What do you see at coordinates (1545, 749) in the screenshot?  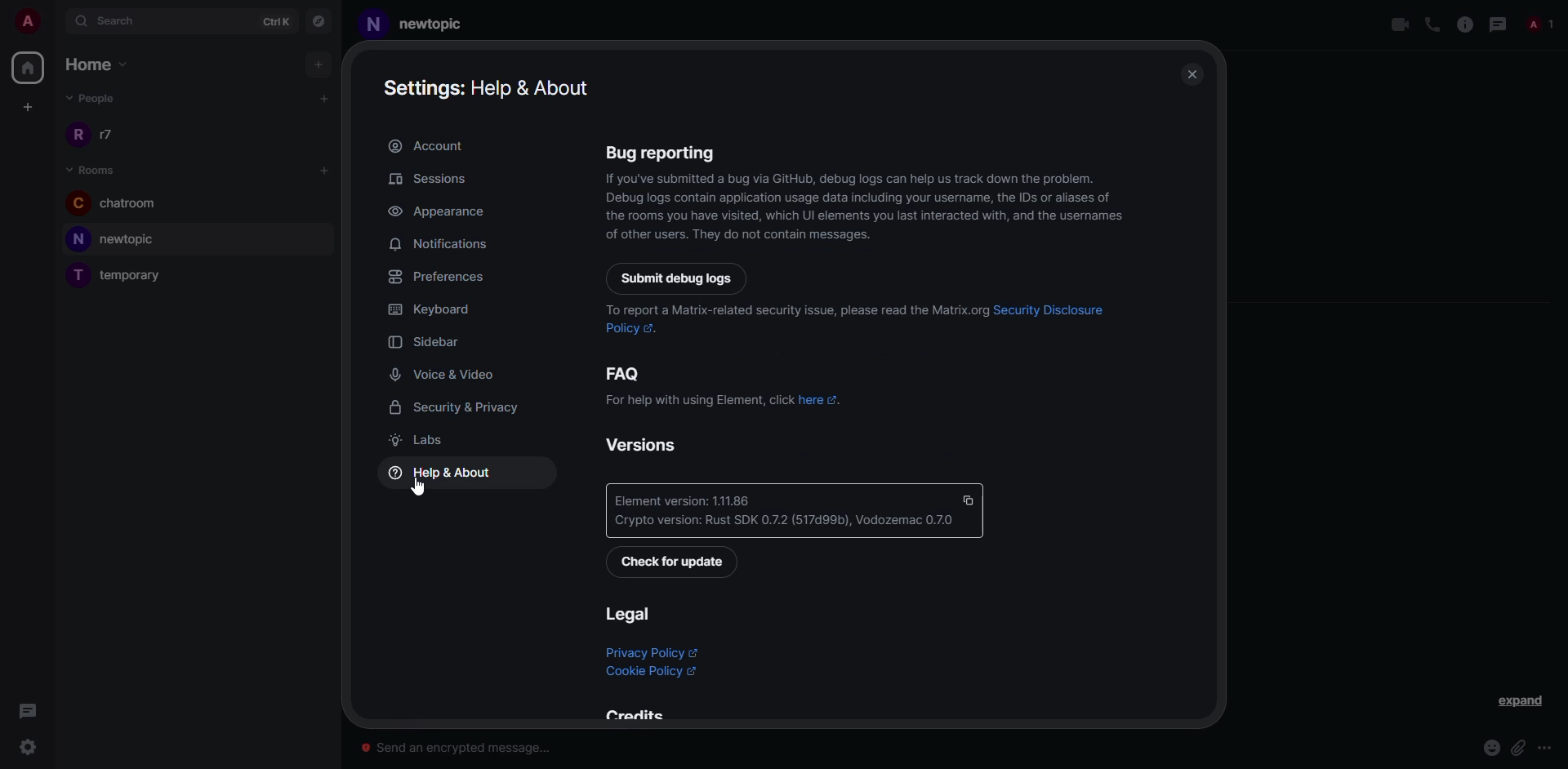 I see `more` at bounding box center [1545, 749].